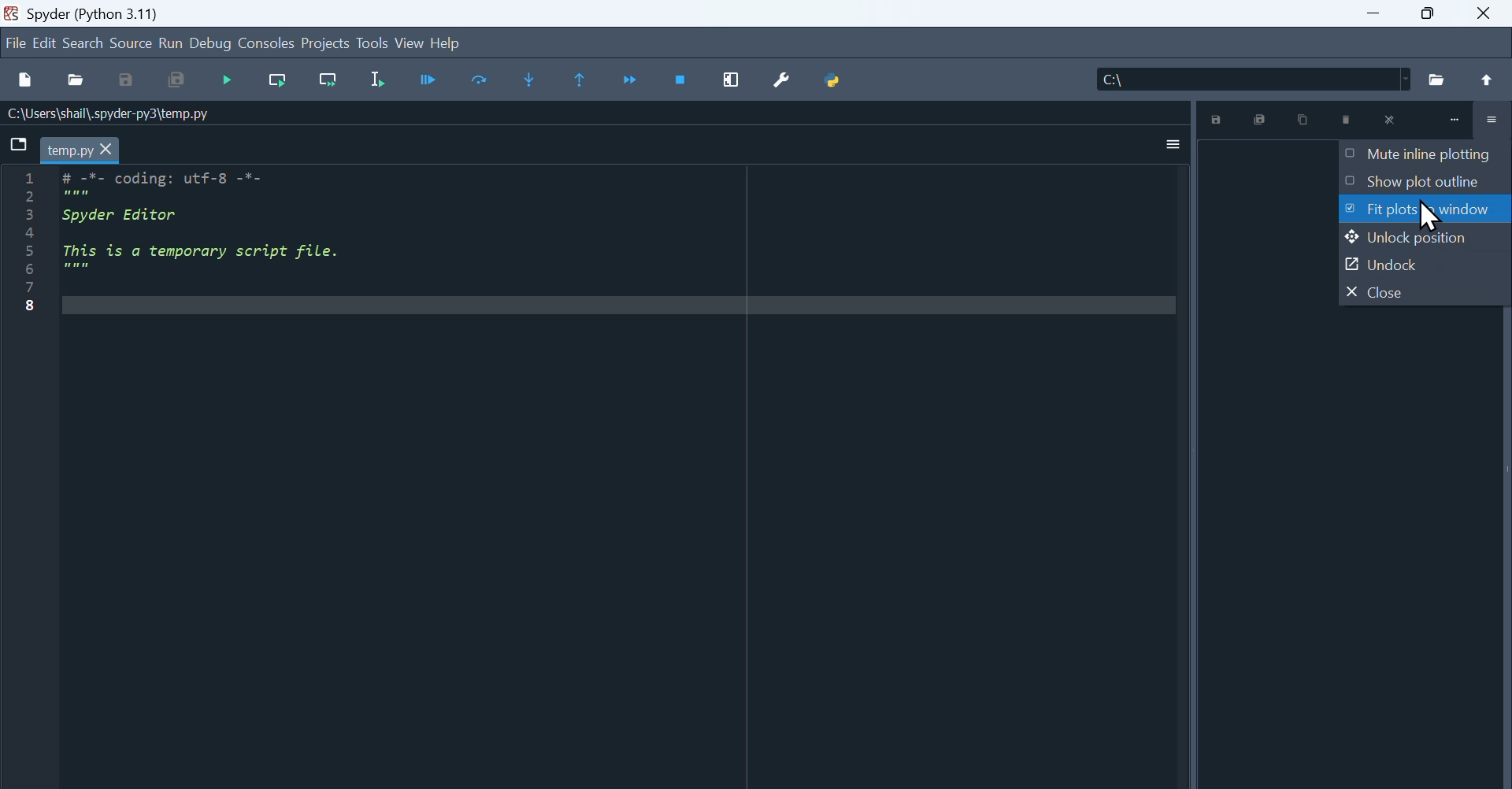 The image size is (1512, 789). Describe the element at coordinates (581, 80) in the screenshot. I see `Continue execution go to the secret line` at that location.